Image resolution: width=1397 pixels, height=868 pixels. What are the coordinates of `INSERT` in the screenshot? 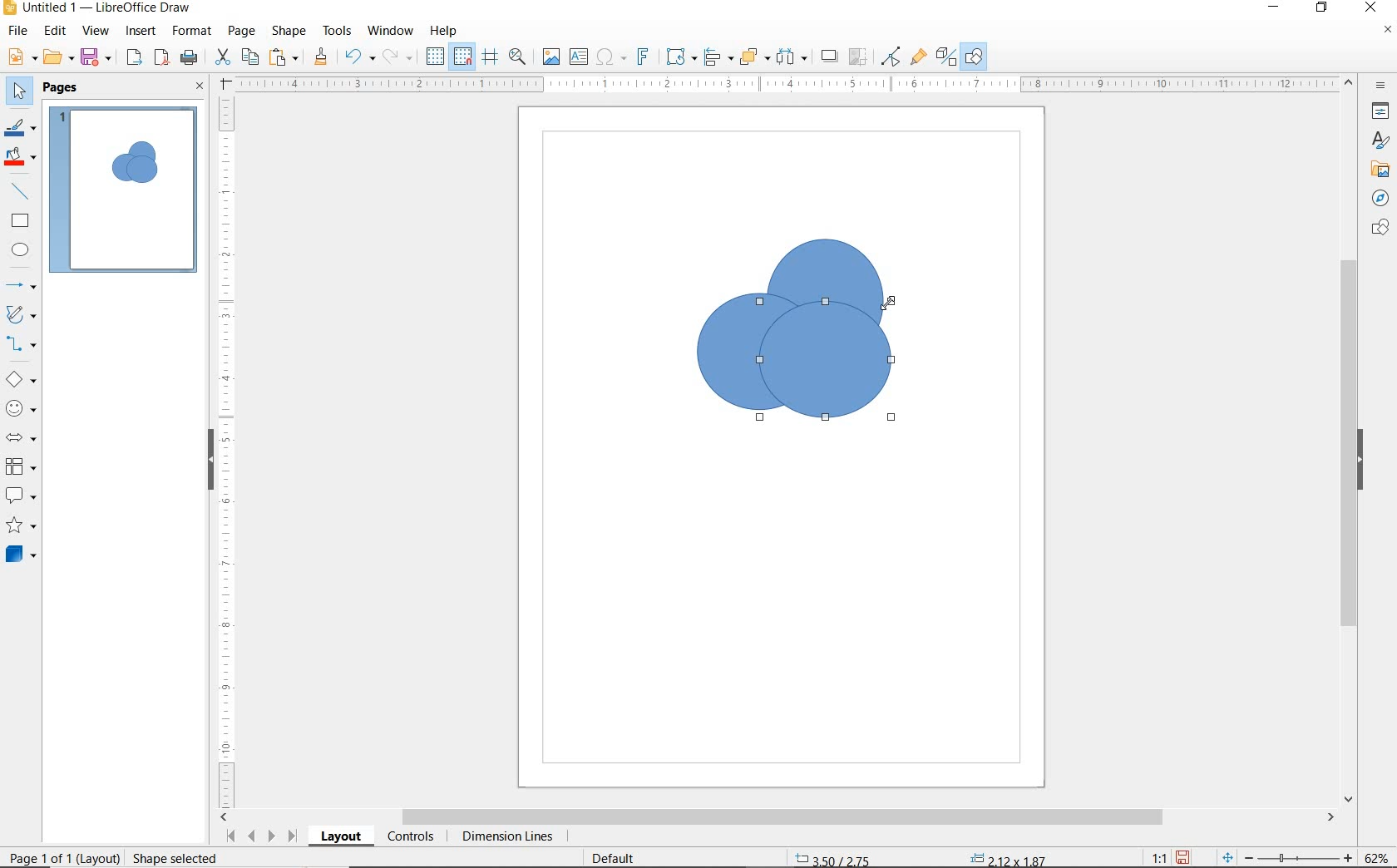 It's located at (143, 32).